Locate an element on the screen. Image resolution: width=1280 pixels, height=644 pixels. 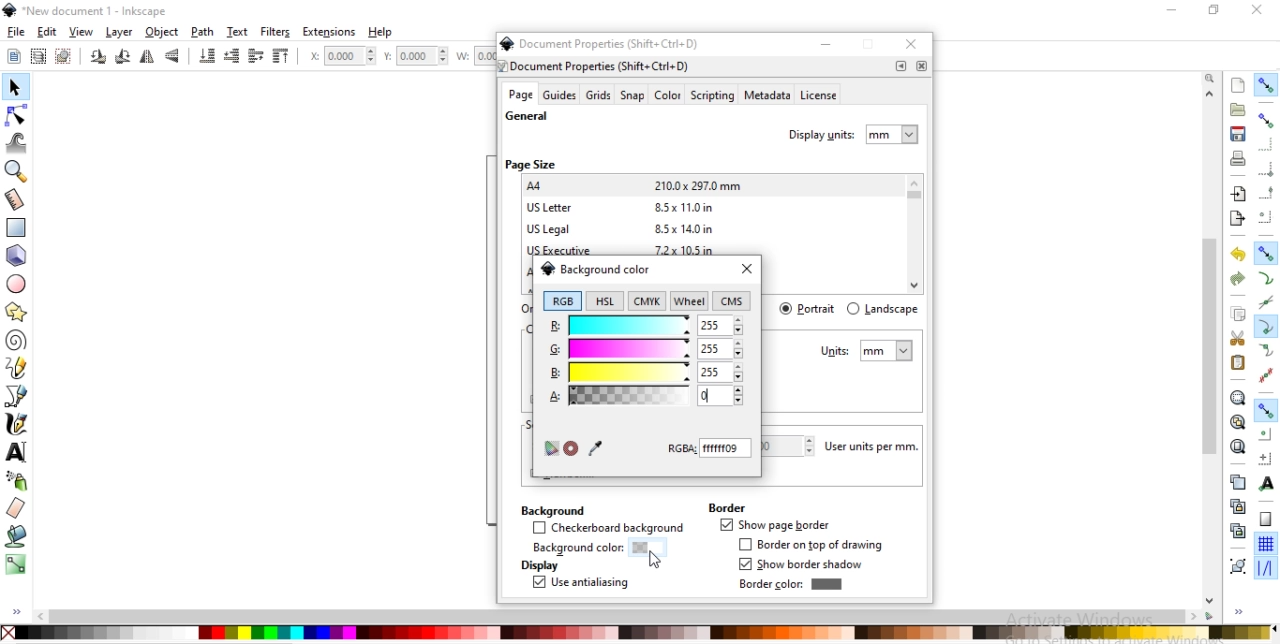
lower selection to bottom is located at coordinates (208, 56).